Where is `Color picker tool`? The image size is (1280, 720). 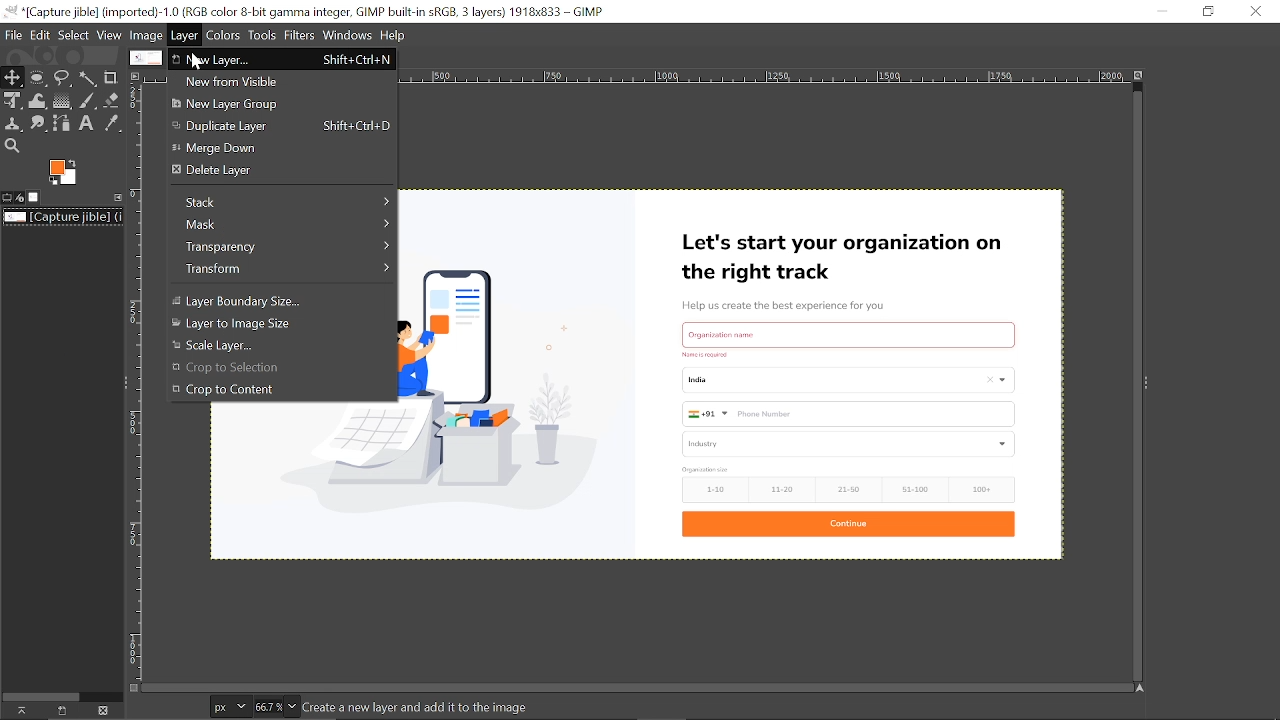 Color picker tool is located at coordinates (111, 124).